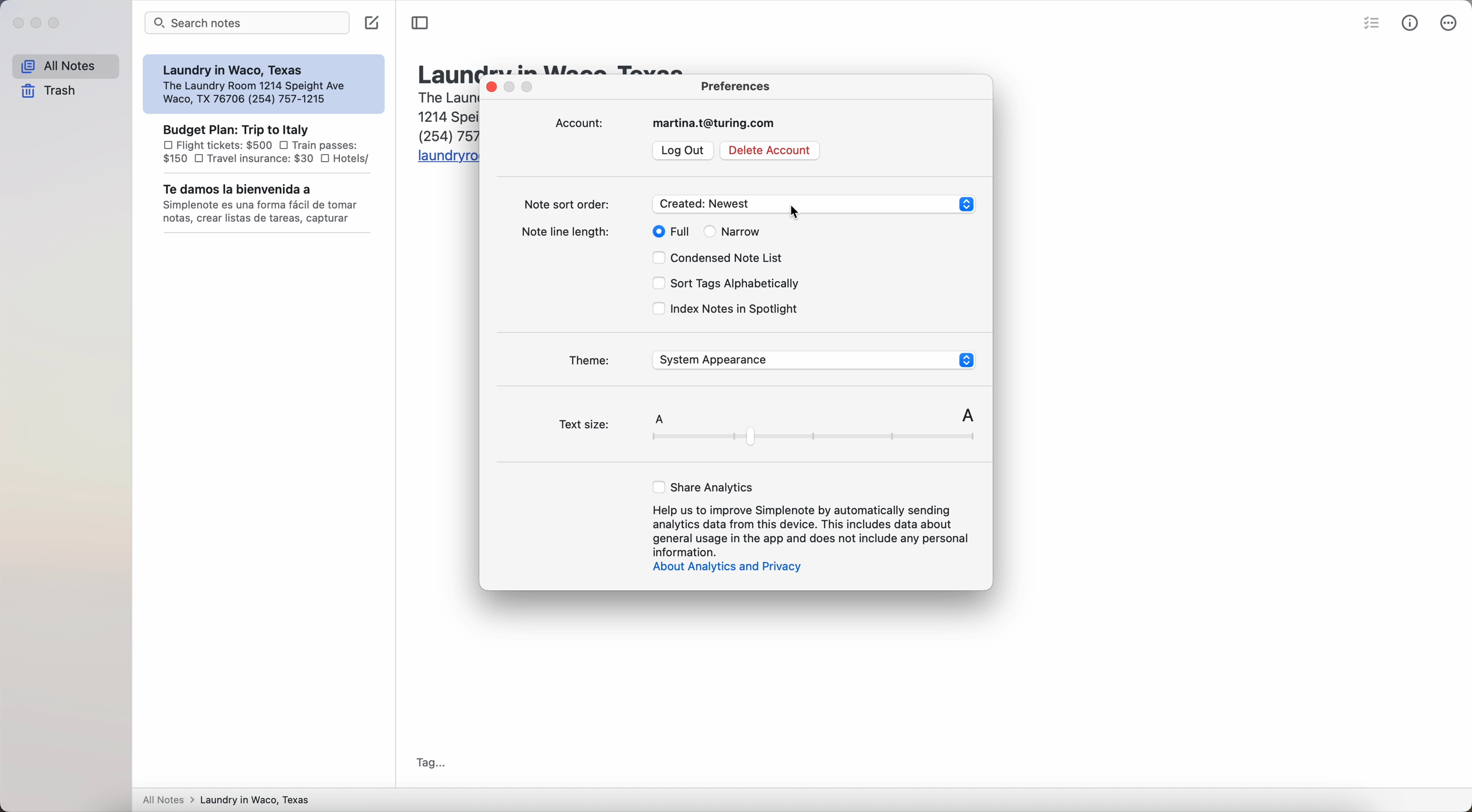 The height and width of the screenshot is (812, 1472). What do you see at coordinates (726, 310) in the screenshot?
I see `index notes in spotlight` at bounding box center [726, 310].